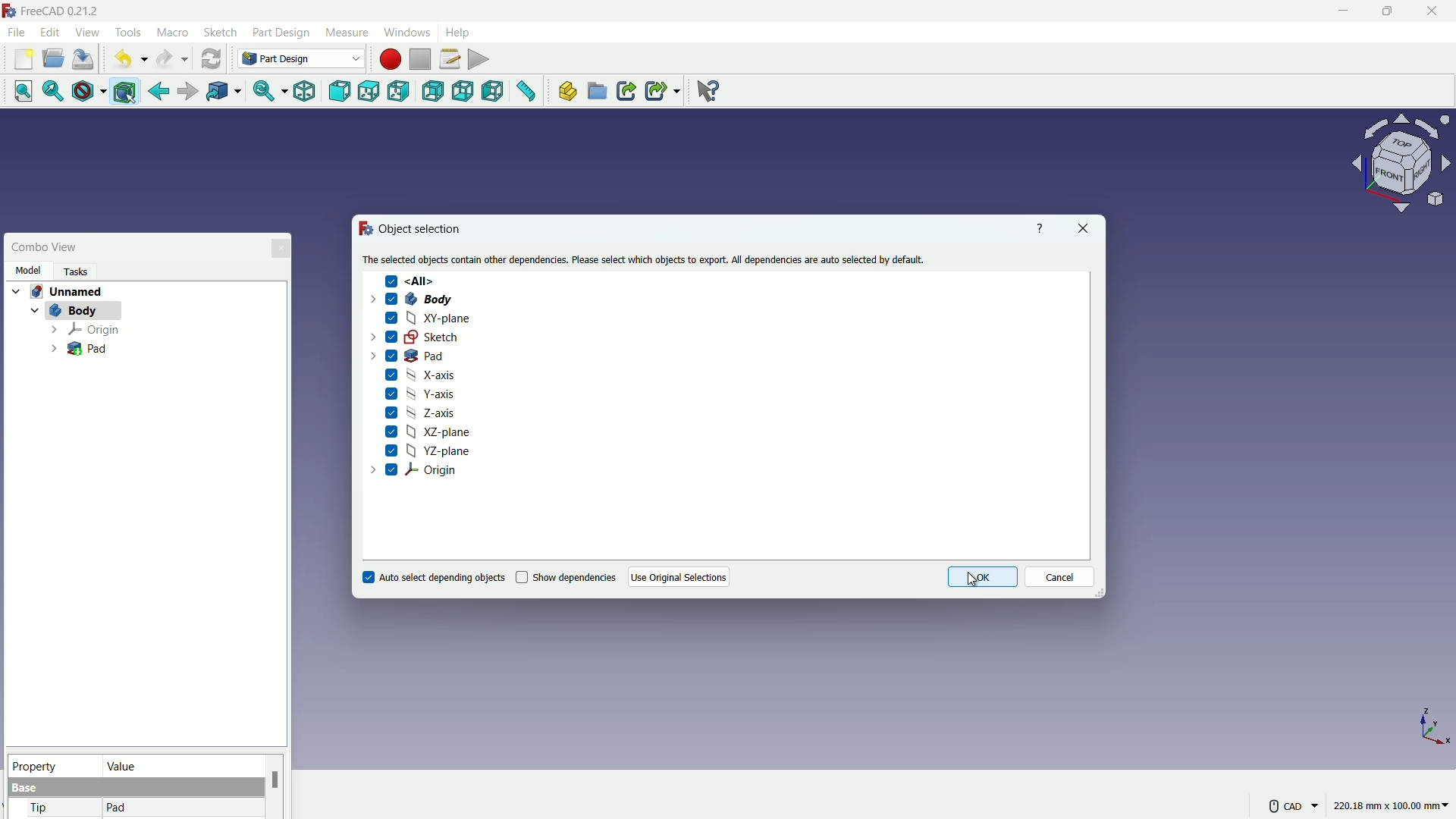 The width and height of the screenshot is (1456, 819). I want to click on model, so click(27, 270).